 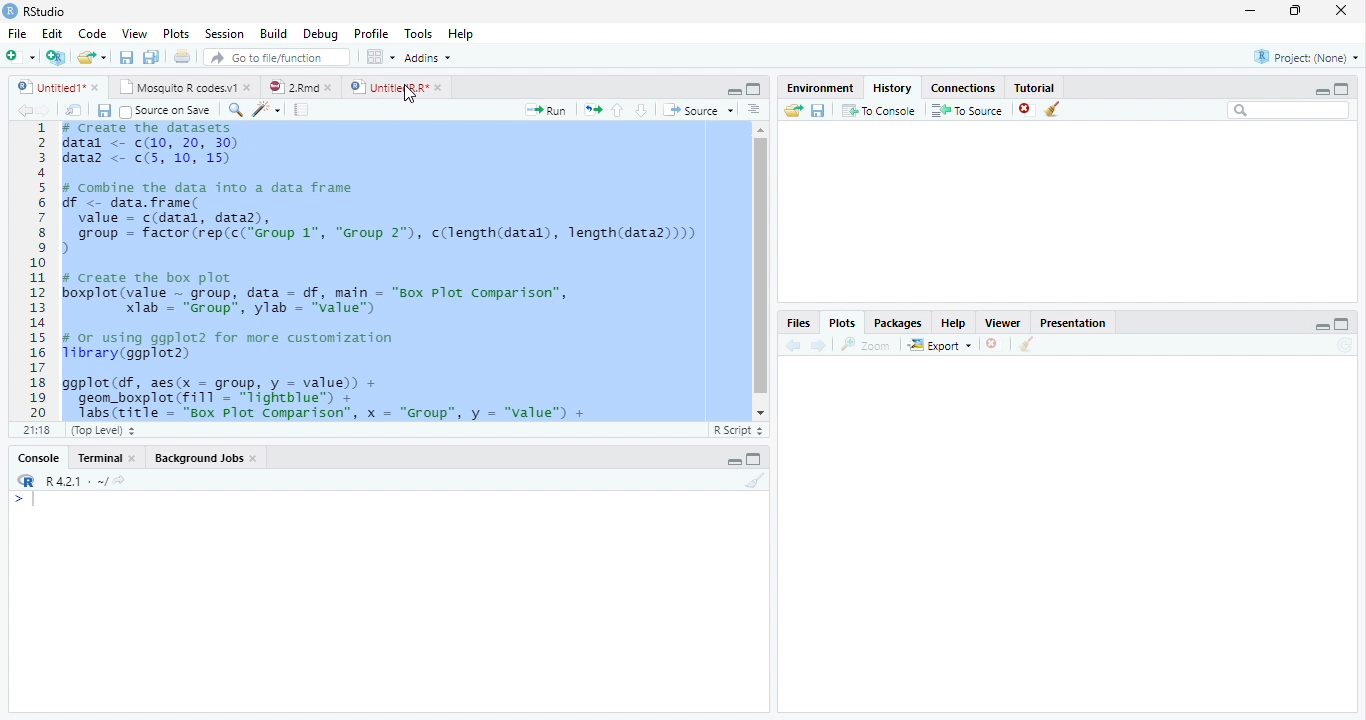 I want to click on Viewer, so click(x=1004, y=322).